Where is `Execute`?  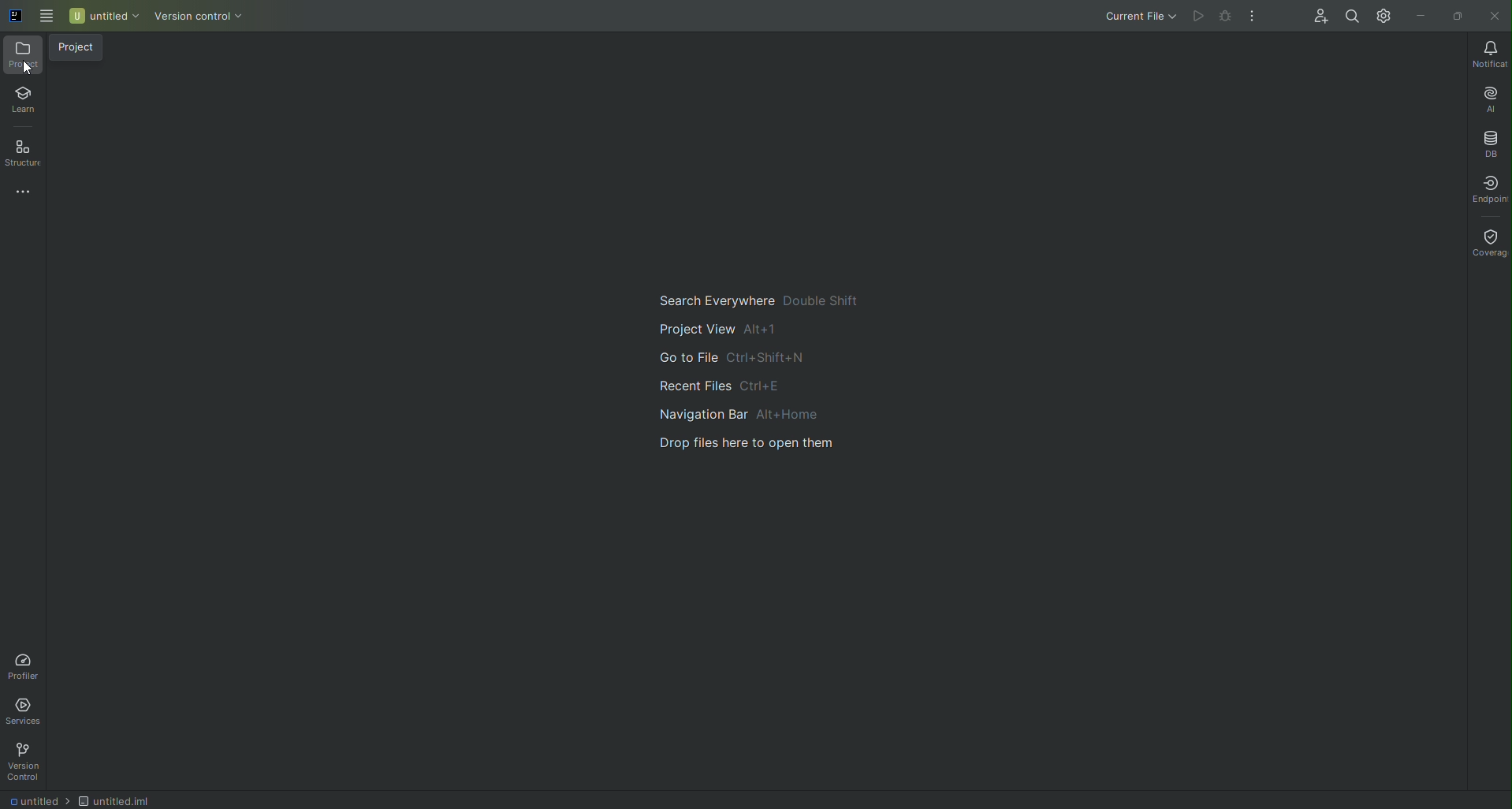 Execute is located at coordinates (1197, 17).